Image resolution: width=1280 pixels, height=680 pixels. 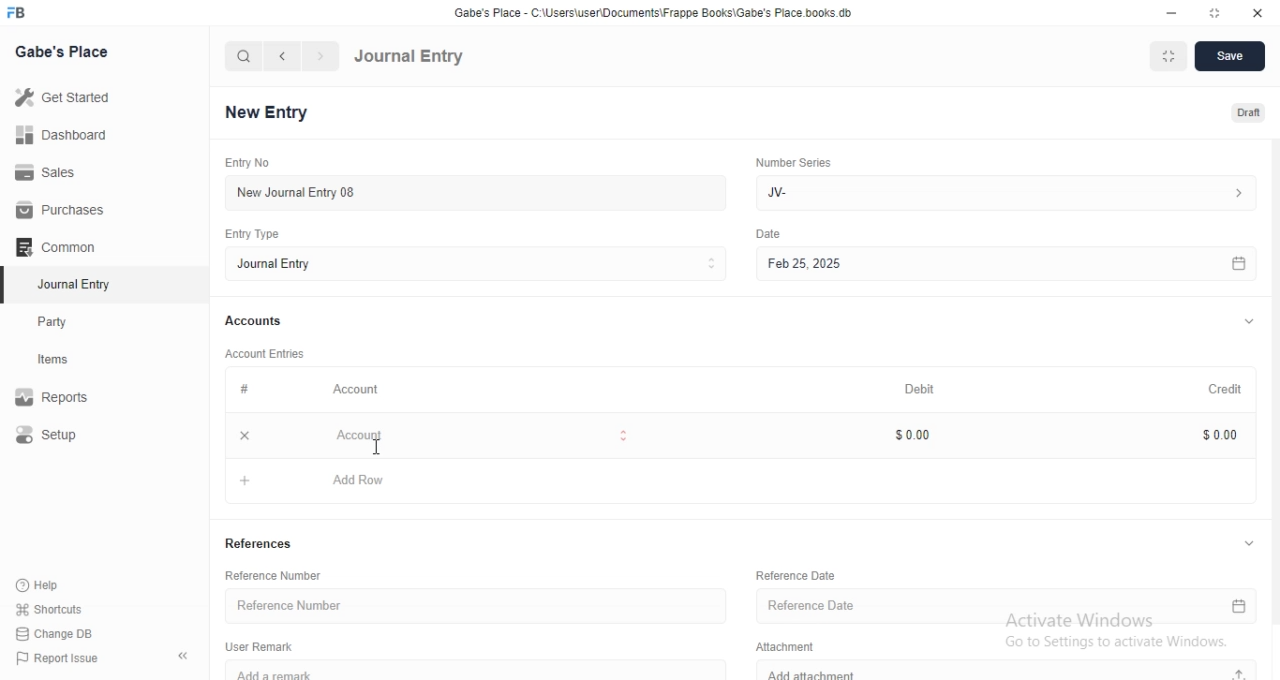 What do you see at coordinates (911, 435) in the screenshot?
I see `$0.00` at bounding box center [911, 435].